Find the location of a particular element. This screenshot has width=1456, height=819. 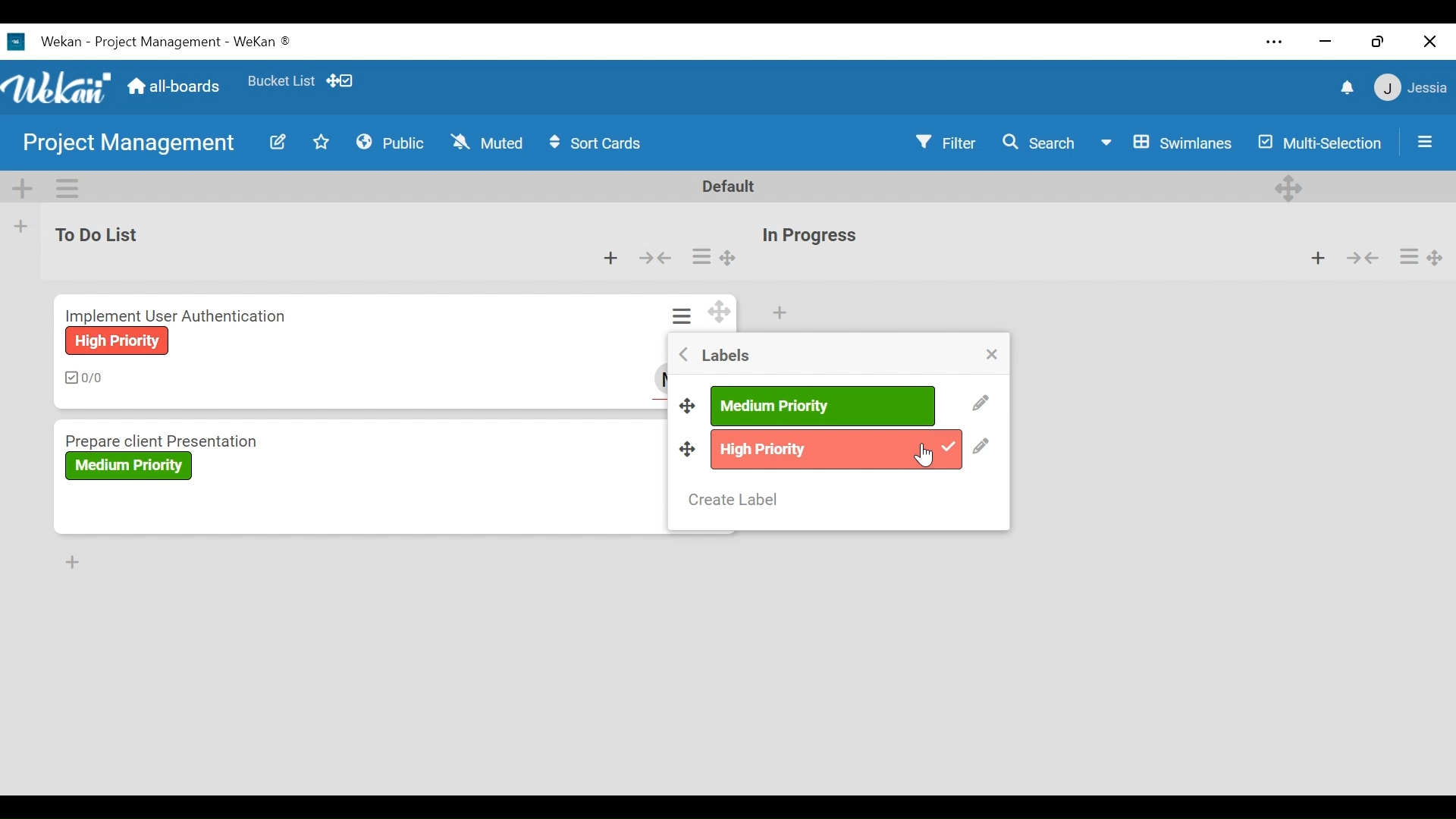

Add Swimlane is located at coordinates (22, 186).